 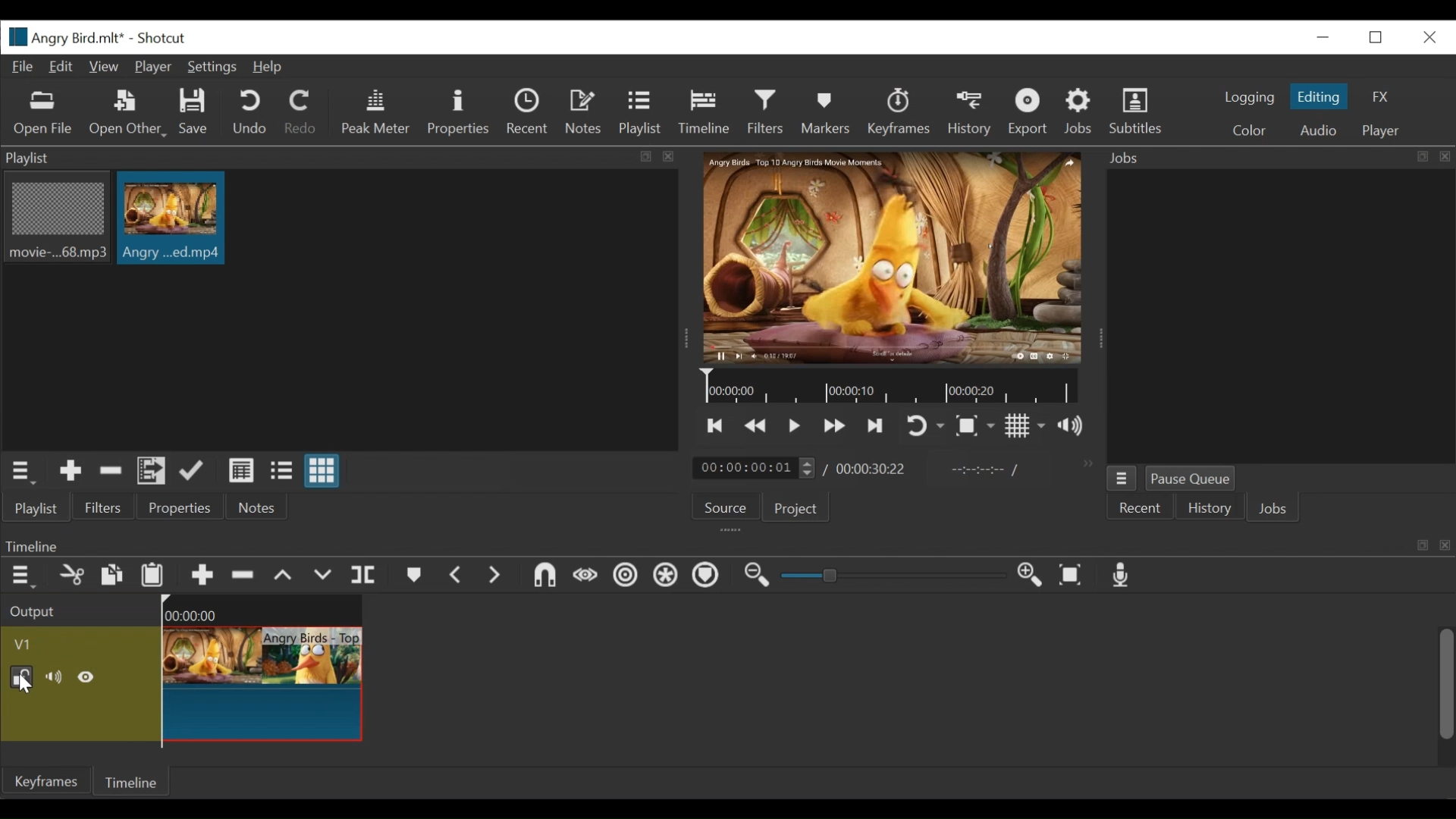 I want to click on View as detail, so click(x=240, y=471).